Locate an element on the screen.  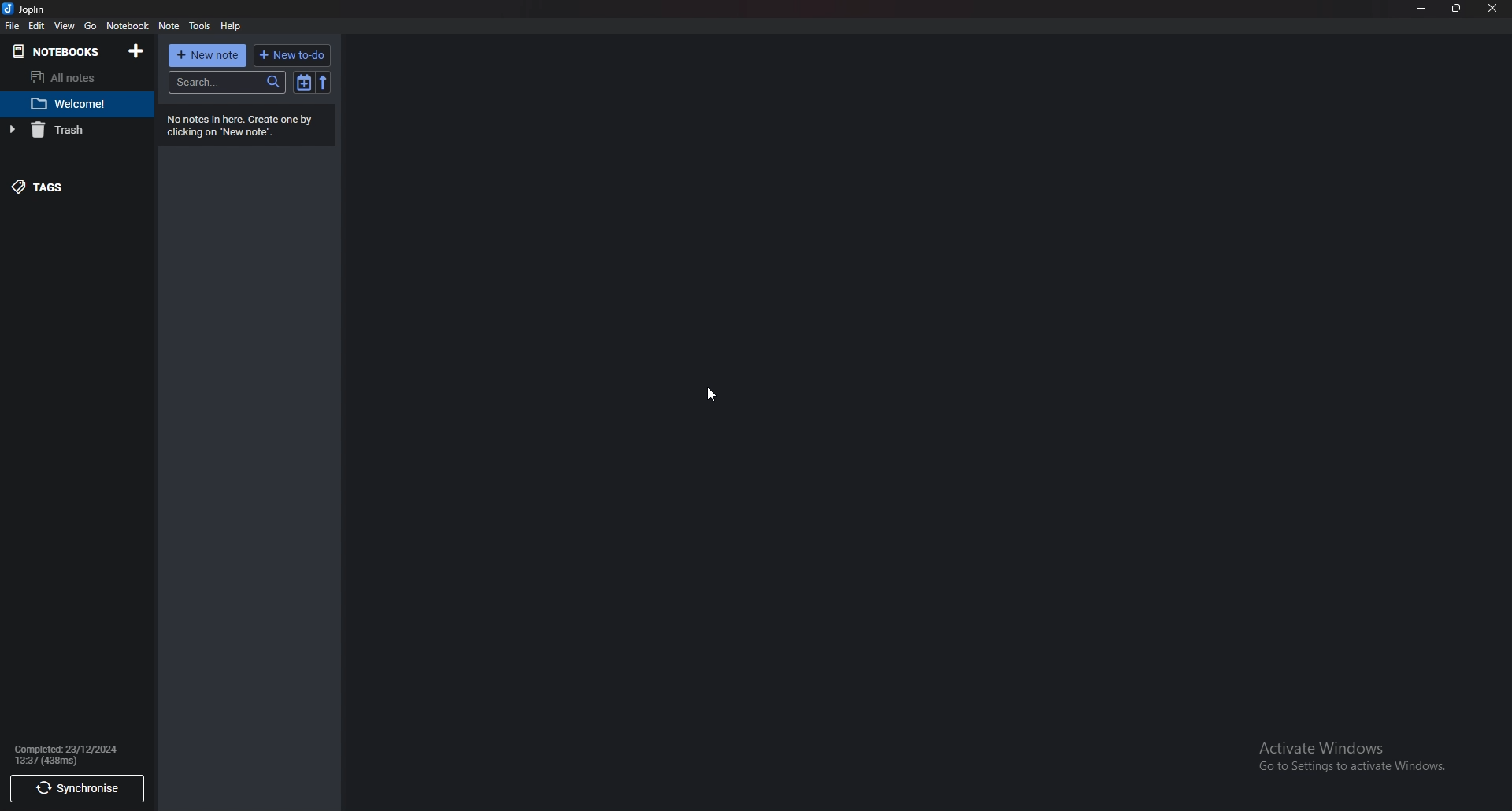
Tools is located at coordinates (201, 27).